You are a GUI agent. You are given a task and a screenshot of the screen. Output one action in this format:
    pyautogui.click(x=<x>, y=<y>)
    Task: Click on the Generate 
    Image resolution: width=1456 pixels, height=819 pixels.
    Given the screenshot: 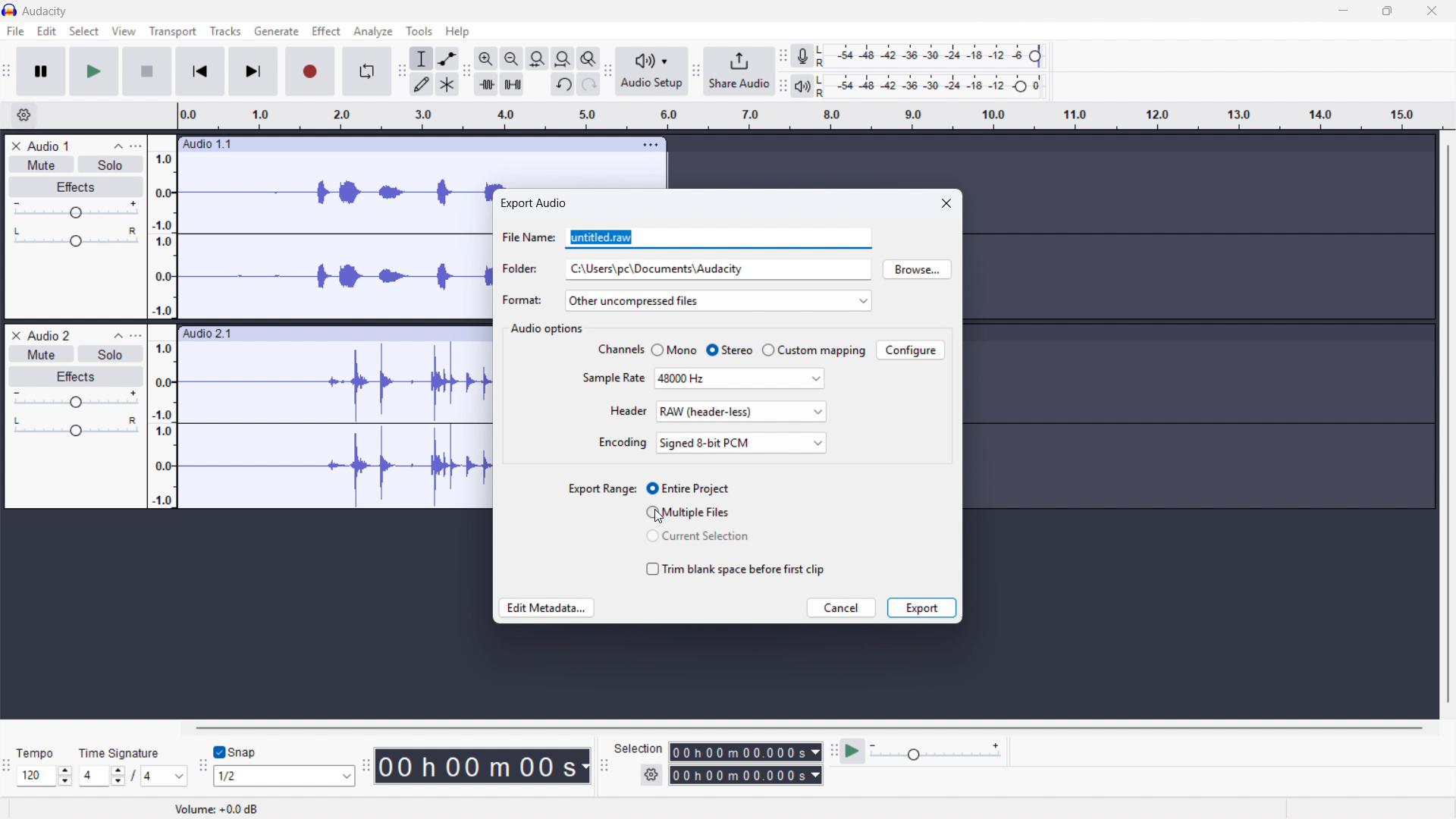 What is the action you would take?
    pyautogui.click(x=277, y=31)
    